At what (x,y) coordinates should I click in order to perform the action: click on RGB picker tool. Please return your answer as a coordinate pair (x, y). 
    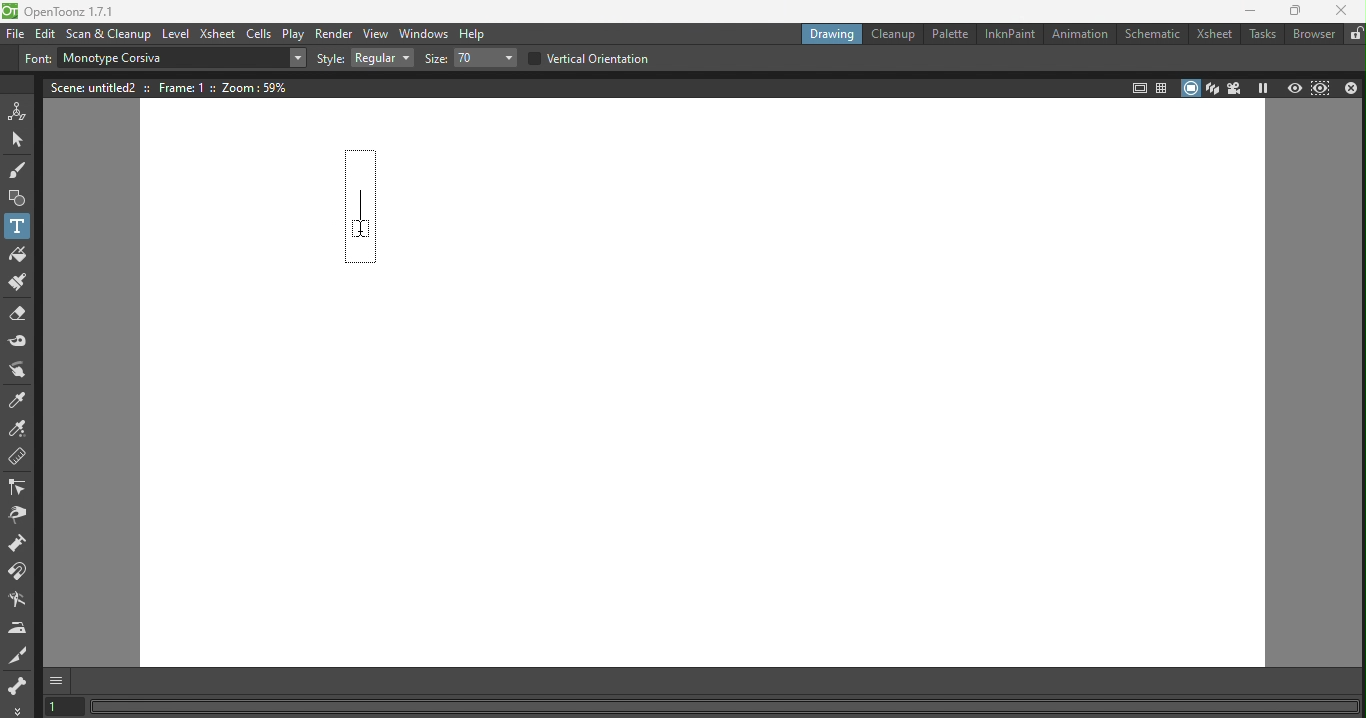
    Looking at the image, I should click on (20, 428).